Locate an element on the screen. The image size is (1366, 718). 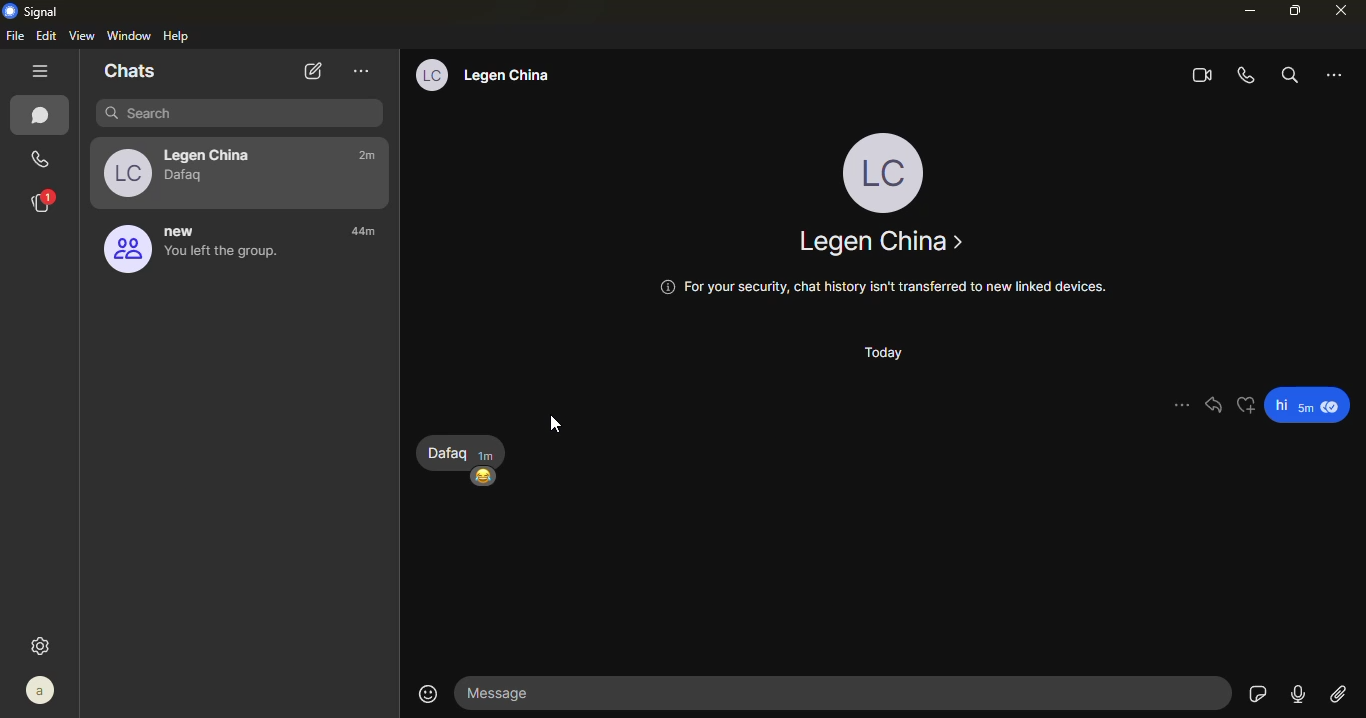
search is located at coordinates (240, 113).